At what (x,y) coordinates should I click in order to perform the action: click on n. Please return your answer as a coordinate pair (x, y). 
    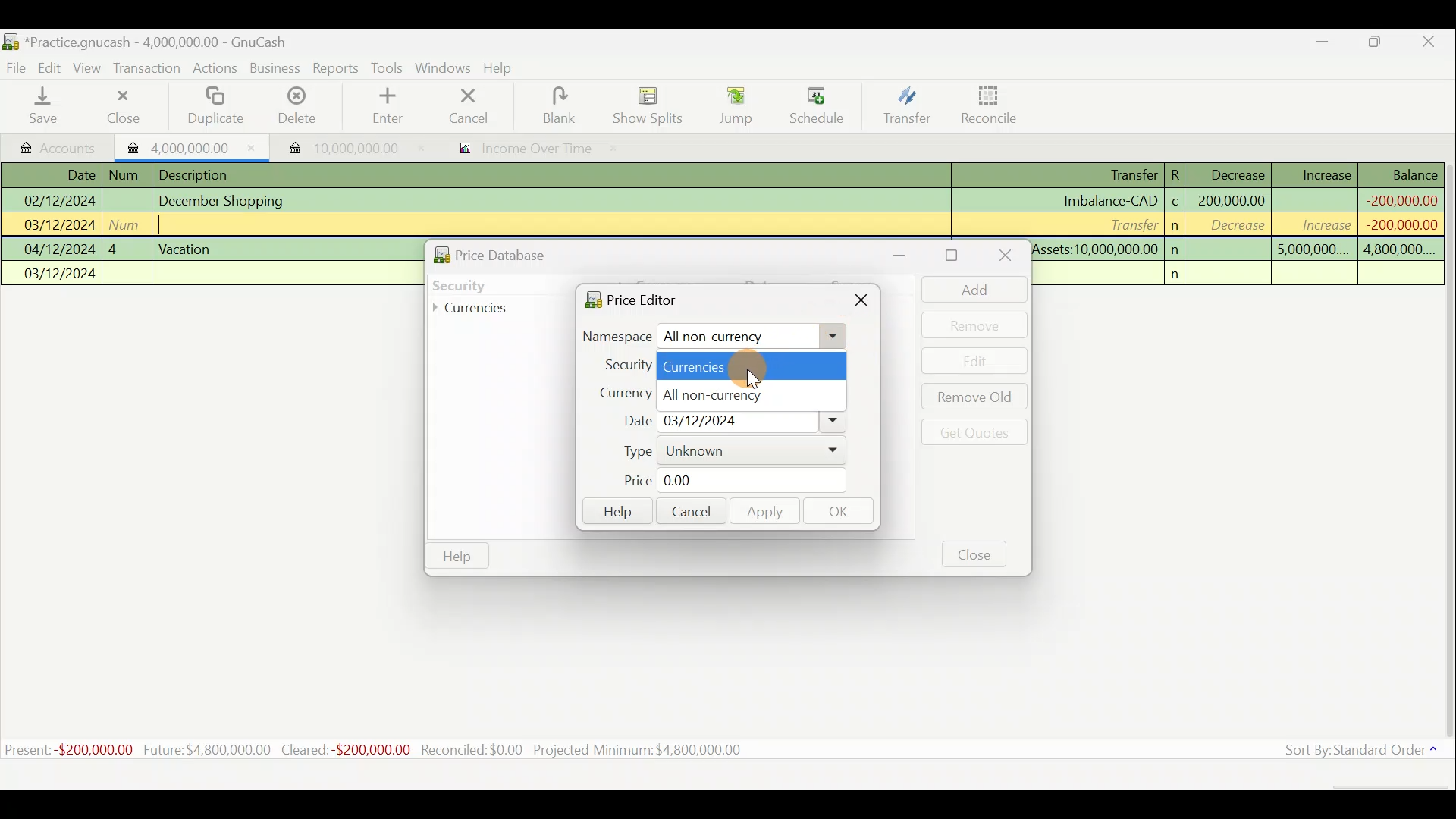
    Looking at the image, I should click on (1180, 275).